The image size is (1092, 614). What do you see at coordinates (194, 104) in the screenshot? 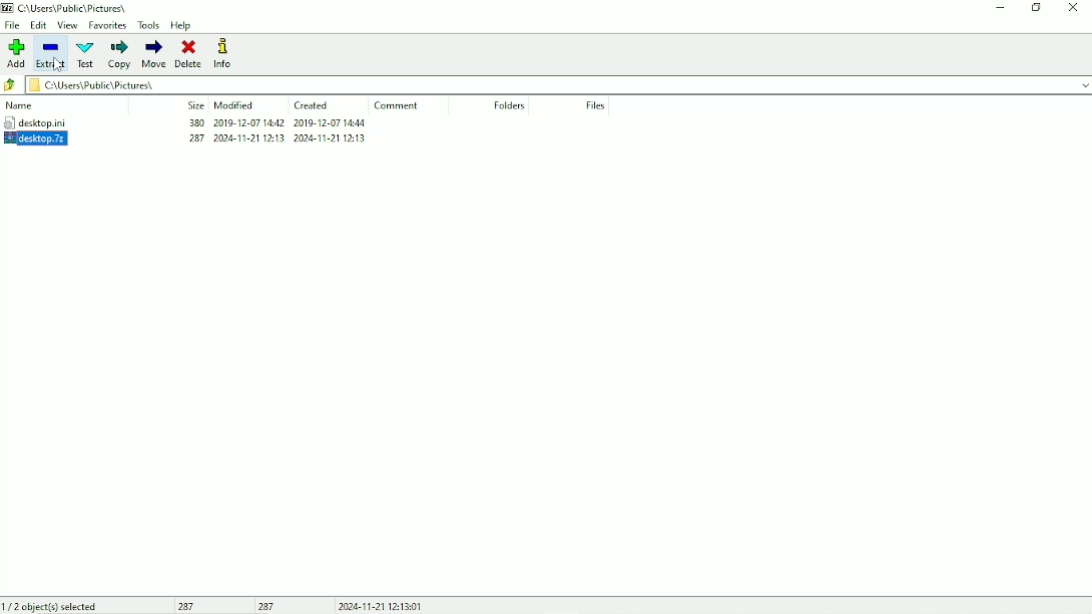
I see `Size` at bounding box center [194, 104].